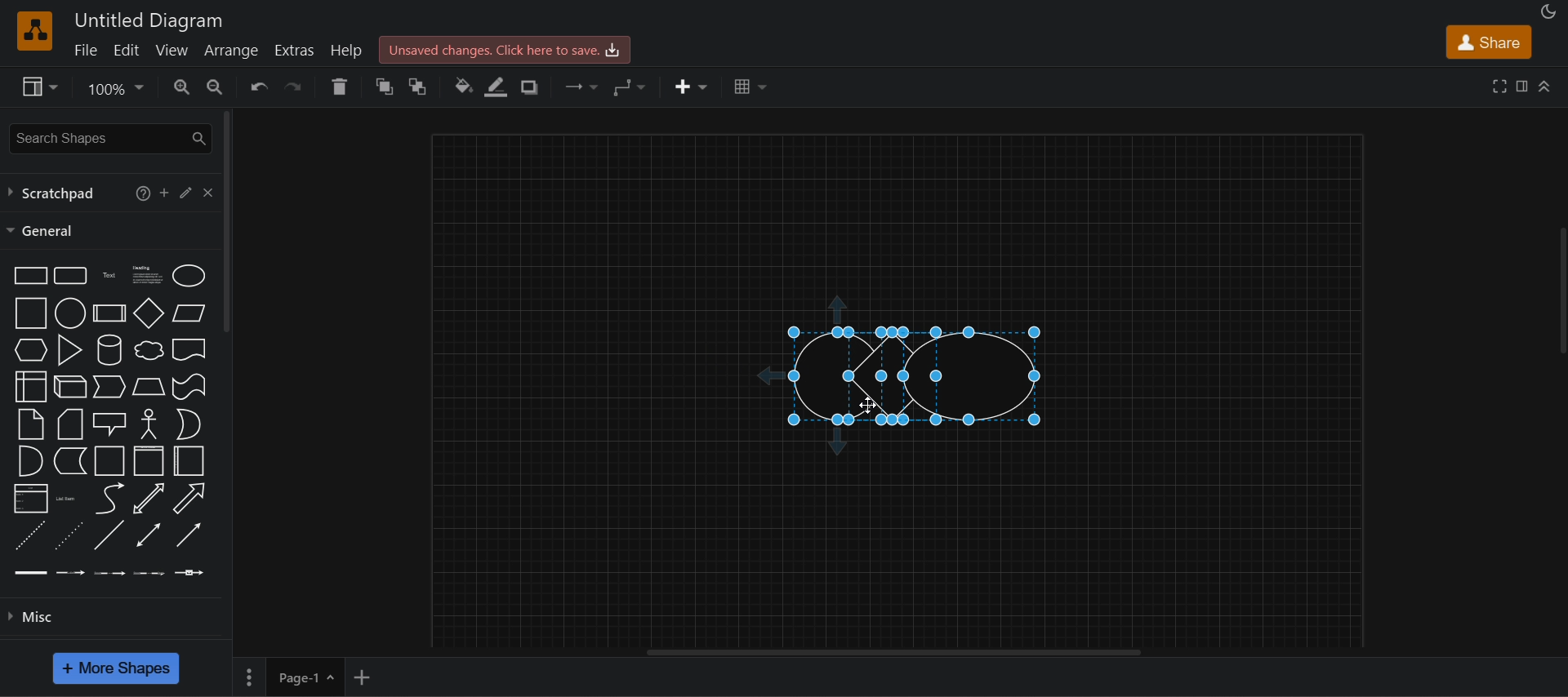  Describe the element at coordinates (419, 87) in the screenshot. I see `to back` at that location.